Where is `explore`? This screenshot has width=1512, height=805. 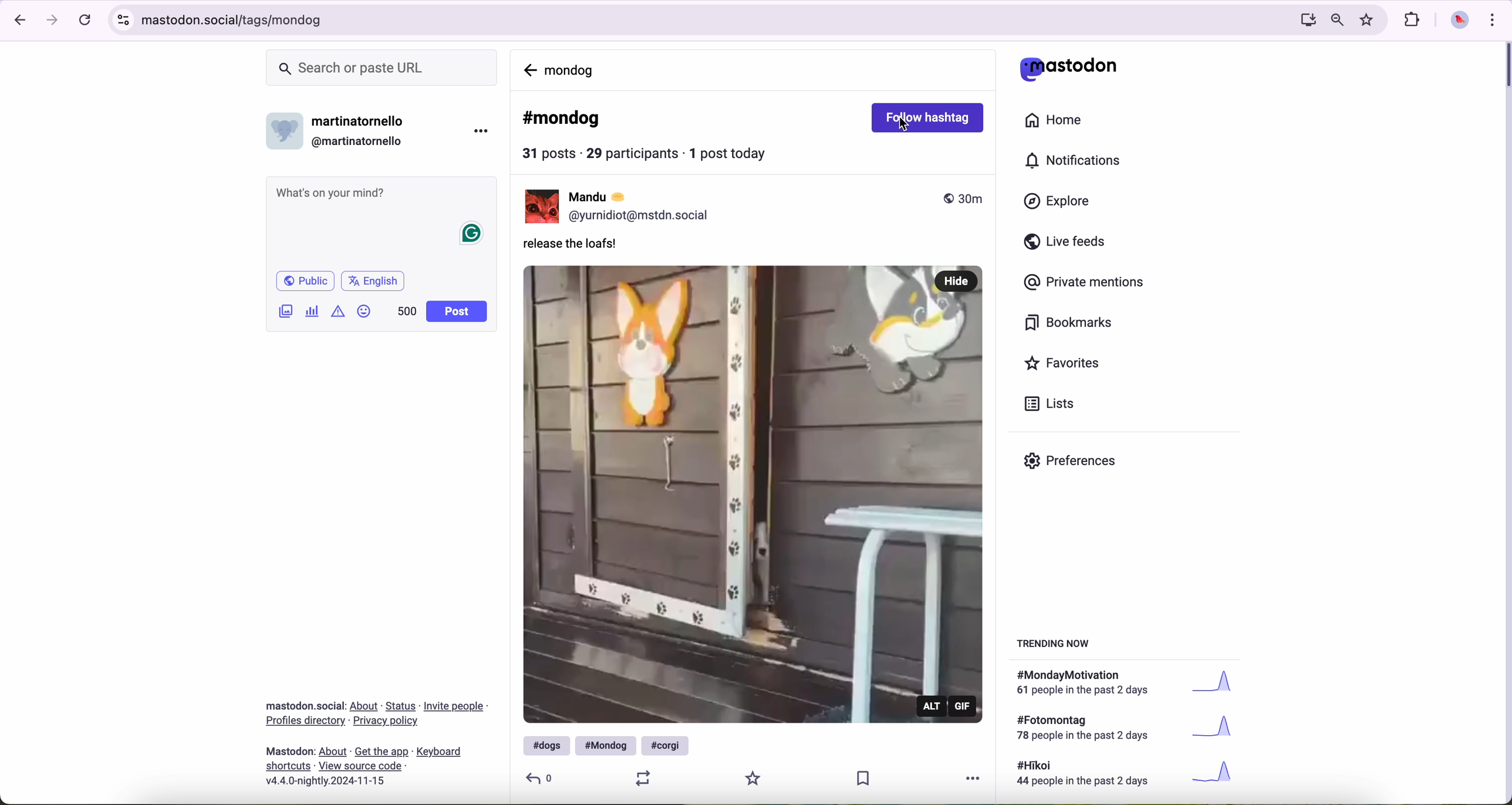 explore is located at coordinates (1059, 202).